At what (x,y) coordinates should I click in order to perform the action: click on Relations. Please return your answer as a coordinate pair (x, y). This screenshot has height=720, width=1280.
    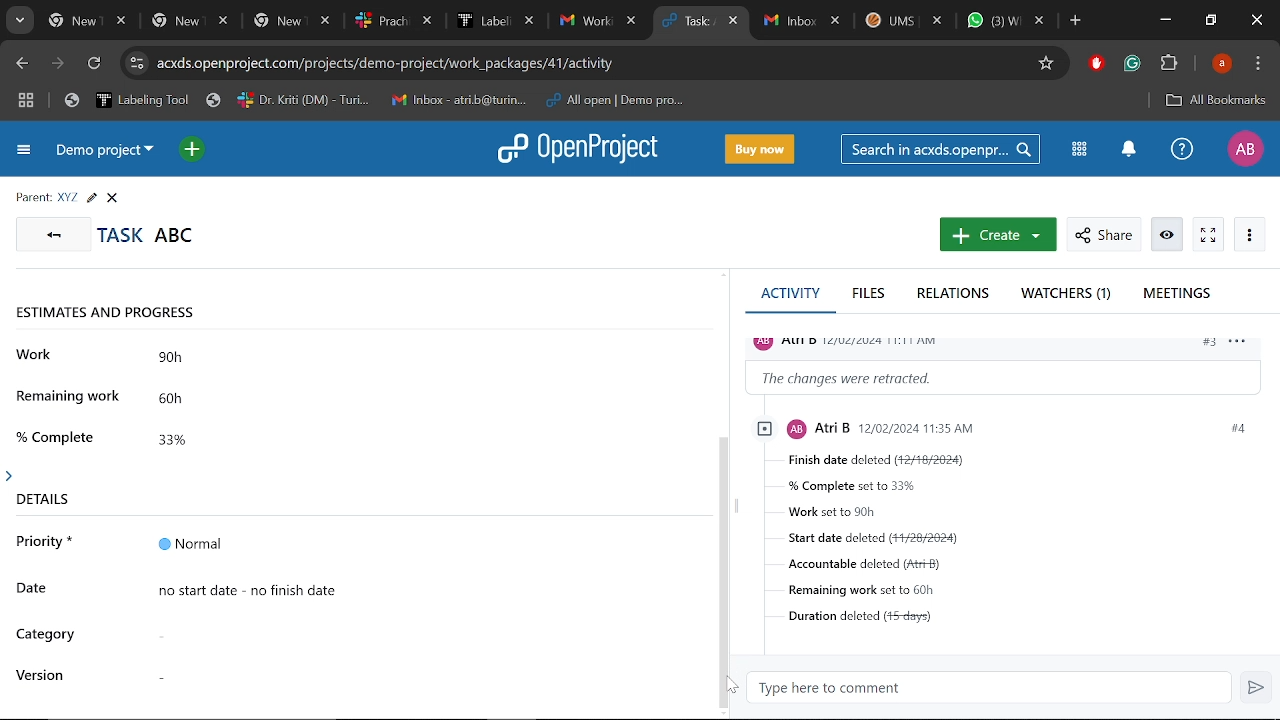
    Looking at the image, I should click on (958, 295).